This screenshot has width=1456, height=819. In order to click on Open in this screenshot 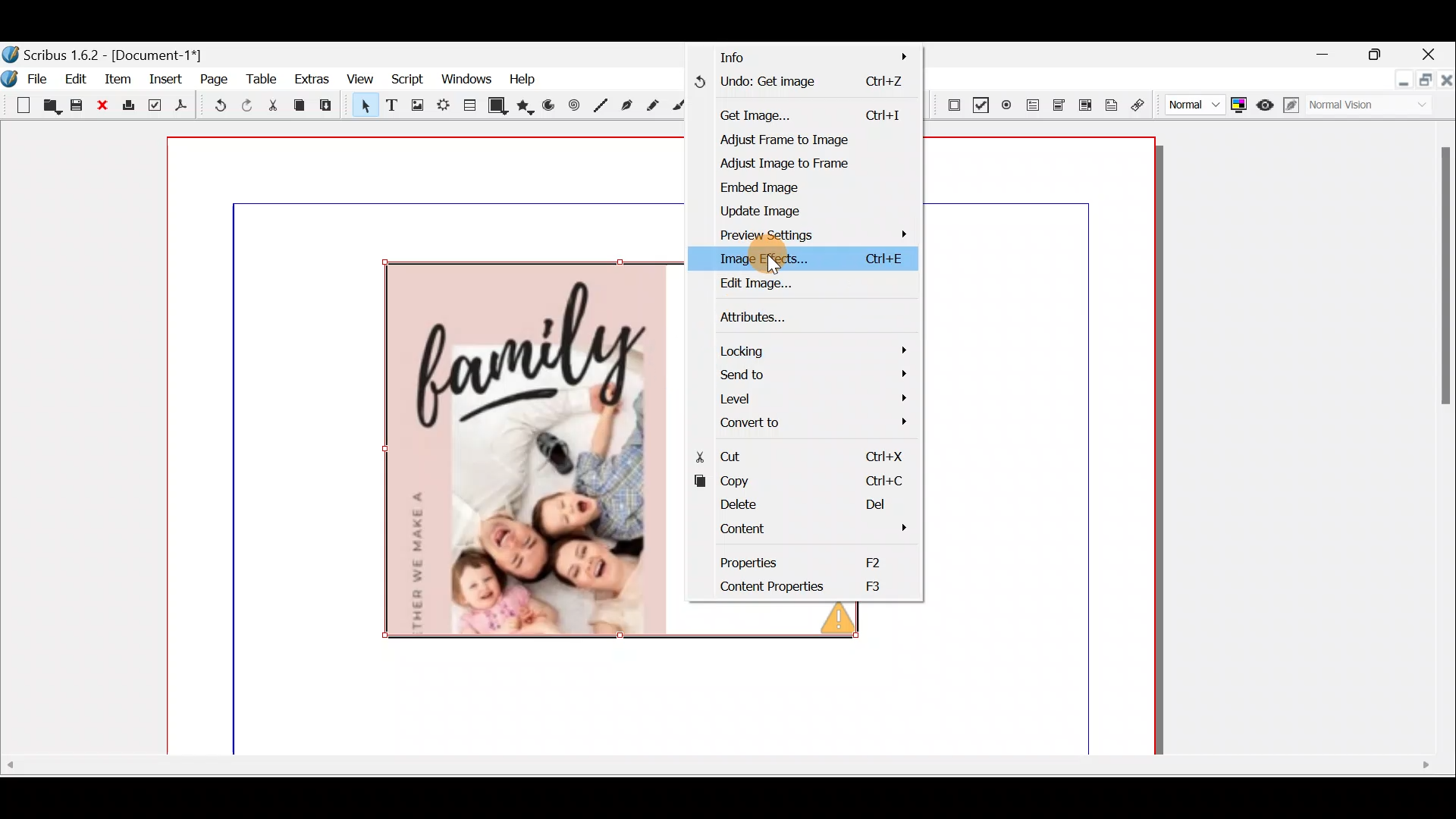, I will do `click(51, 108)`.